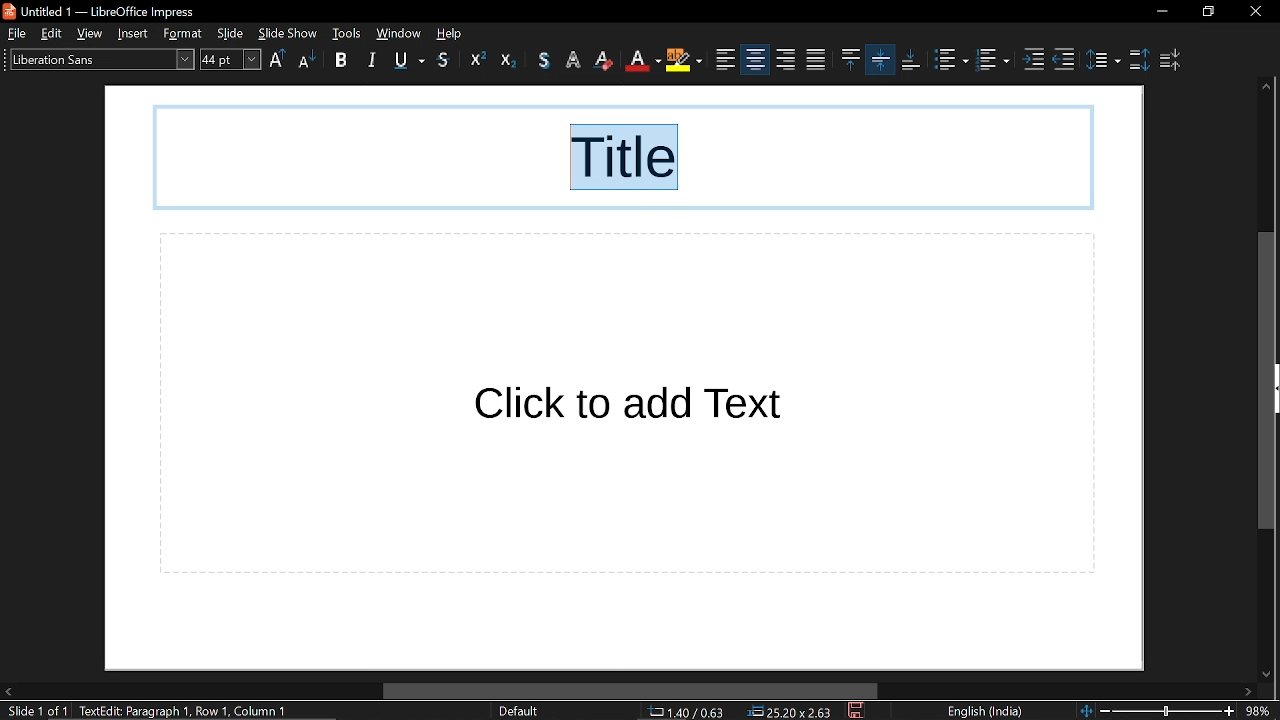  I want to click on shadow, so click(445, 61).